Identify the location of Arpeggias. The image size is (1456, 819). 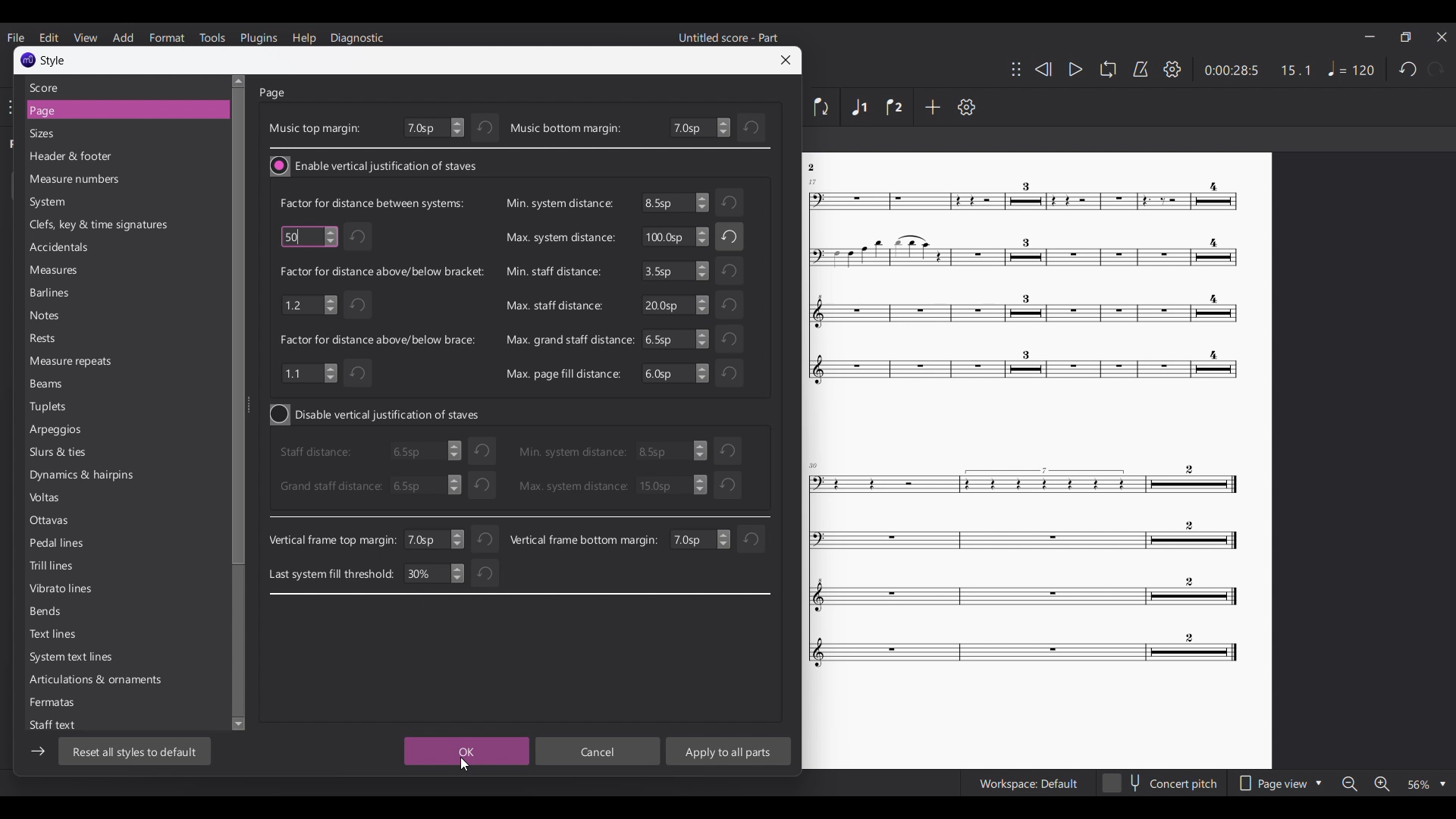
(71, 430).